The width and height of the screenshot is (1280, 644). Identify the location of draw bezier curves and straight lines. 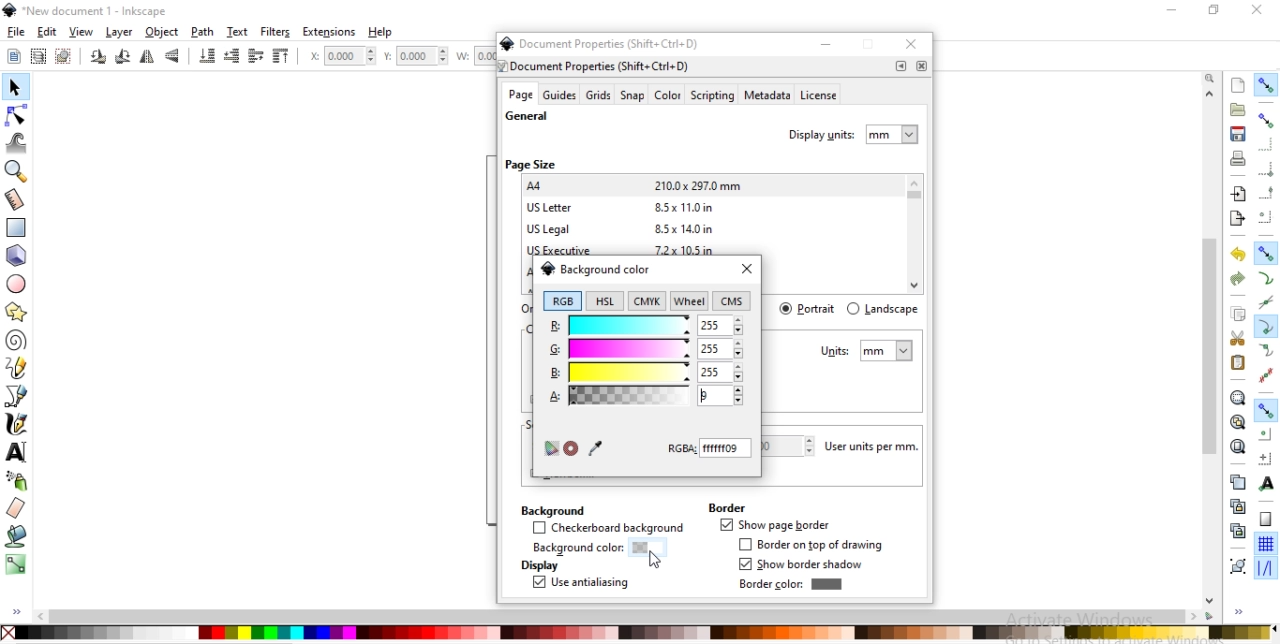
(17, 394).